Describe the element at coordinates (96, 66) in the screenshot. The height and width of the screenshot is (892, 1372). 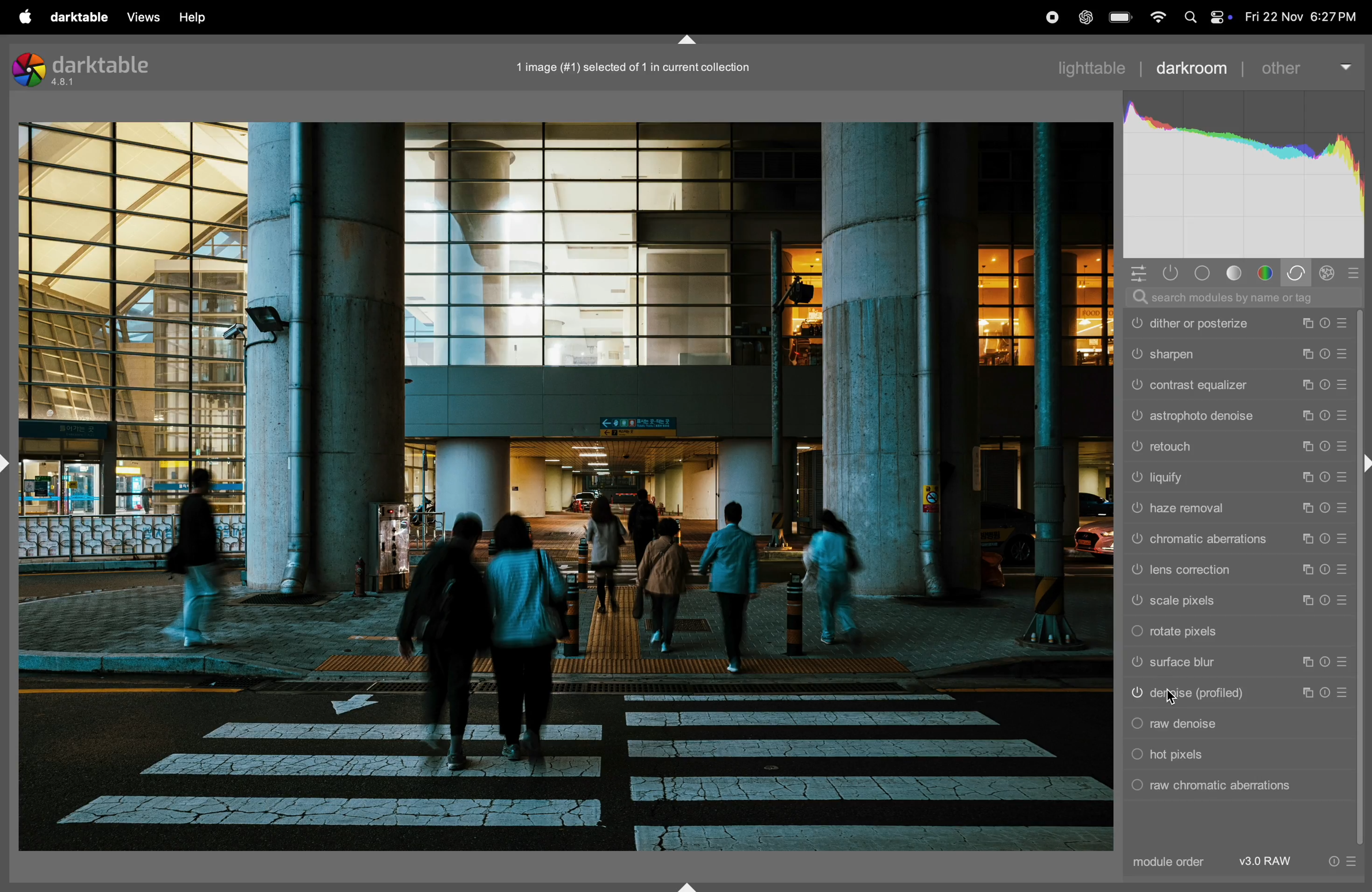
I see `darktable version` at that location.